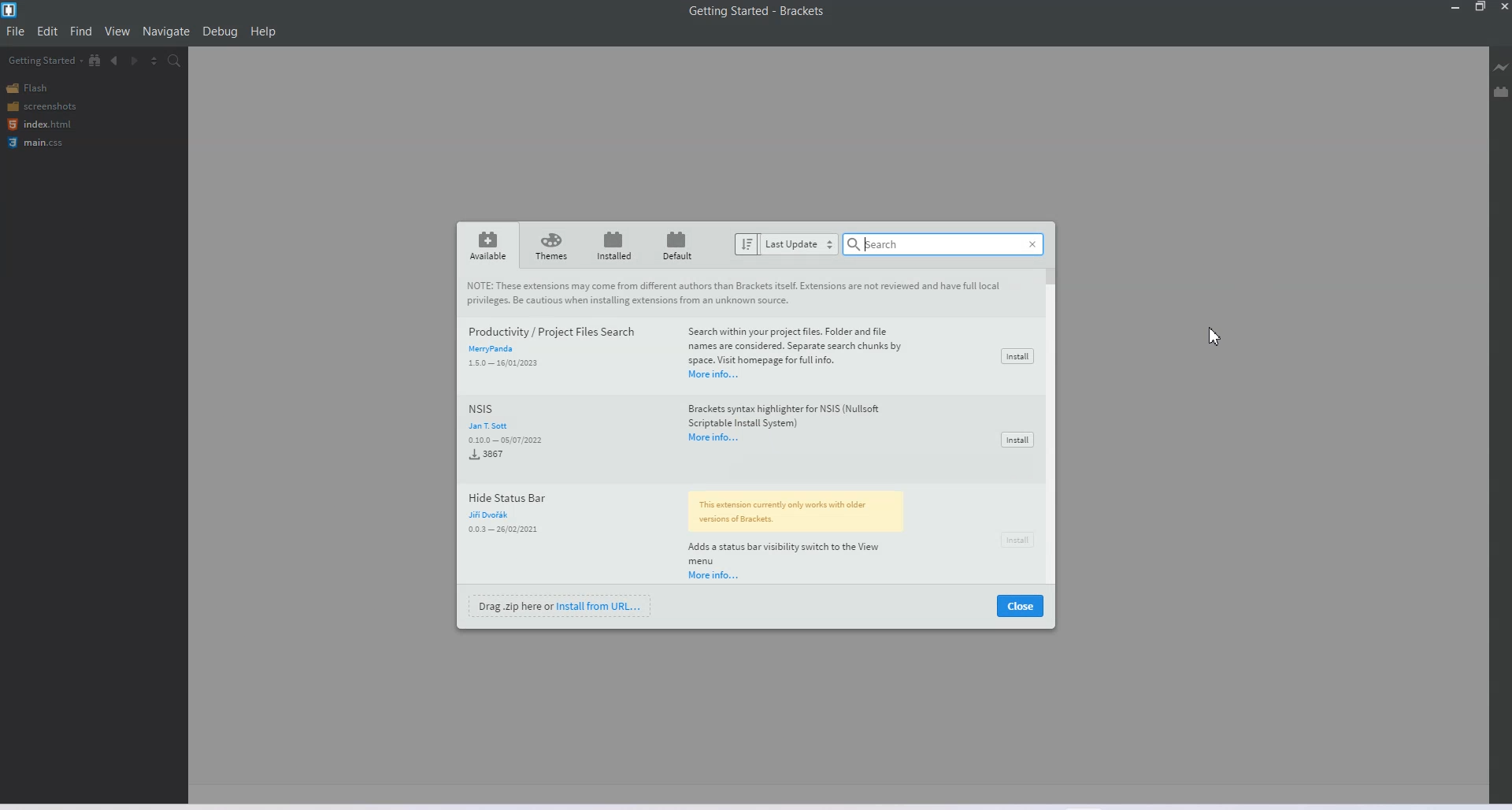  What do you see at coordinates (502, 366) in the screenshot?
I see `1.5.0-16/01/2023` at bounding box center [502, 366].